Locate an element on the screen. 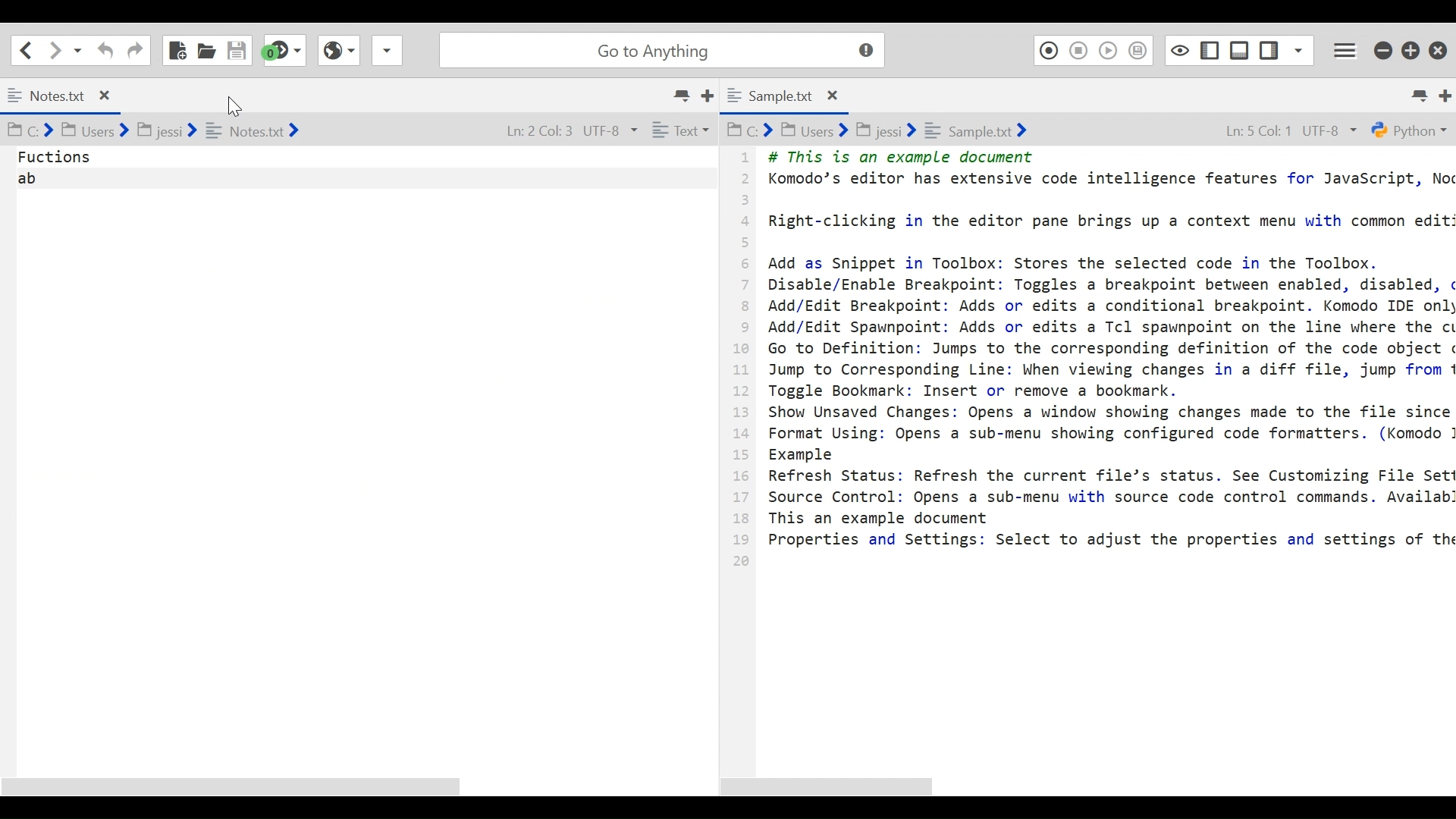 The image size is (1456, 819). minimize is located at coordinates (1384, 51).